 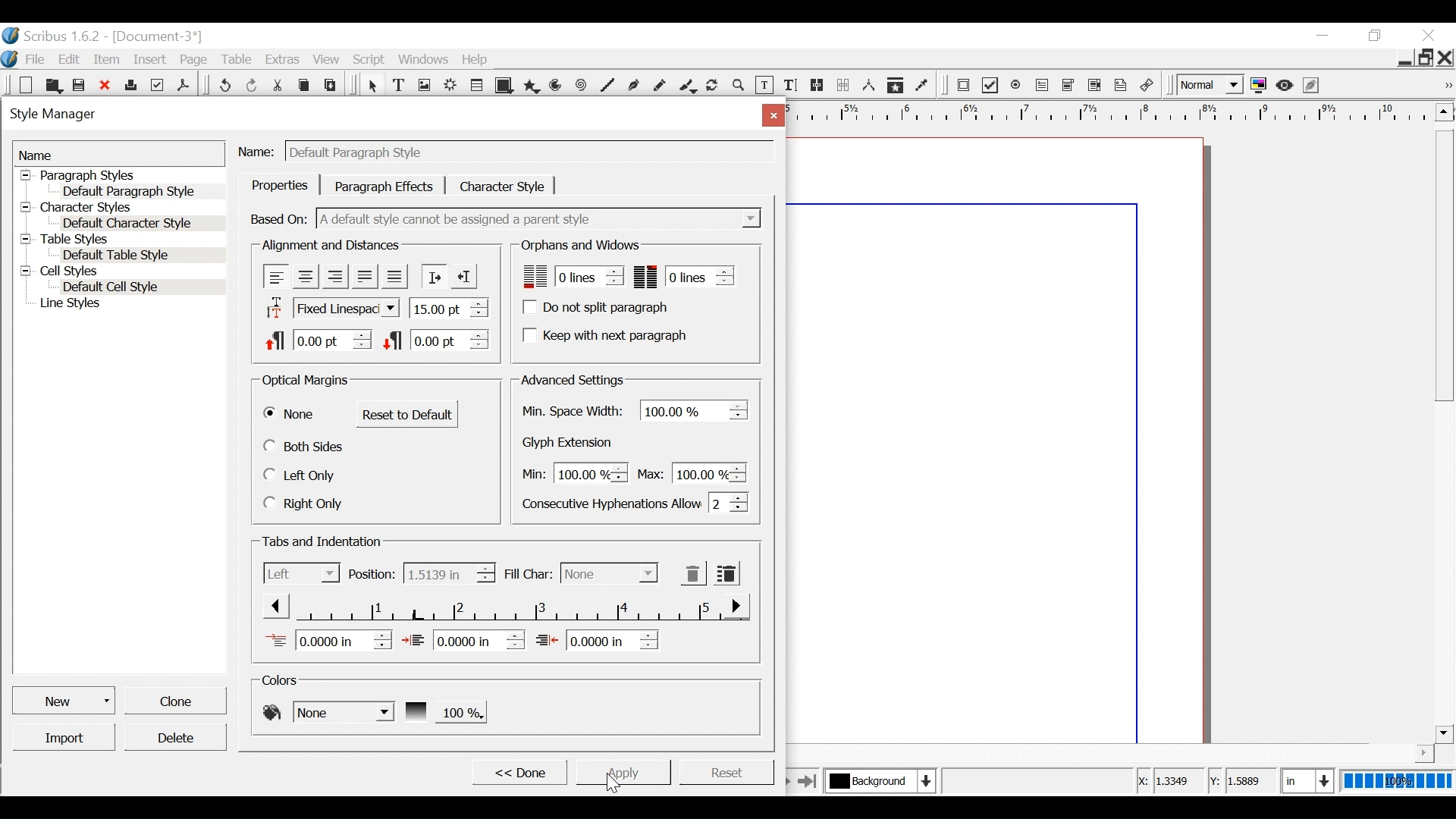 I want to click on Background color, so click(x=327, y=711).